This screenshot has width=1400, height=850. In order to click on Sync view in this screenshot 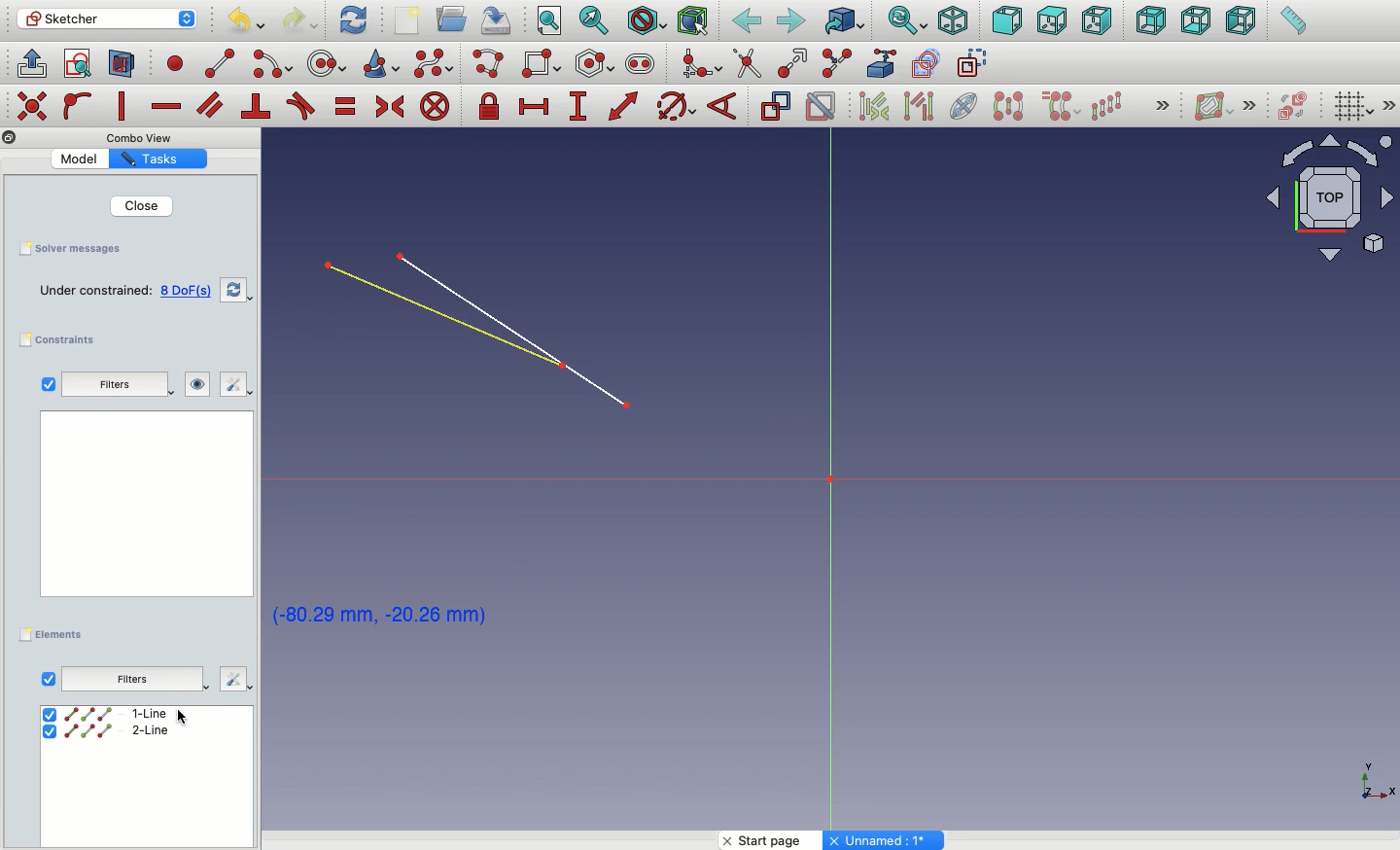, I will do `click(907, 20)`.